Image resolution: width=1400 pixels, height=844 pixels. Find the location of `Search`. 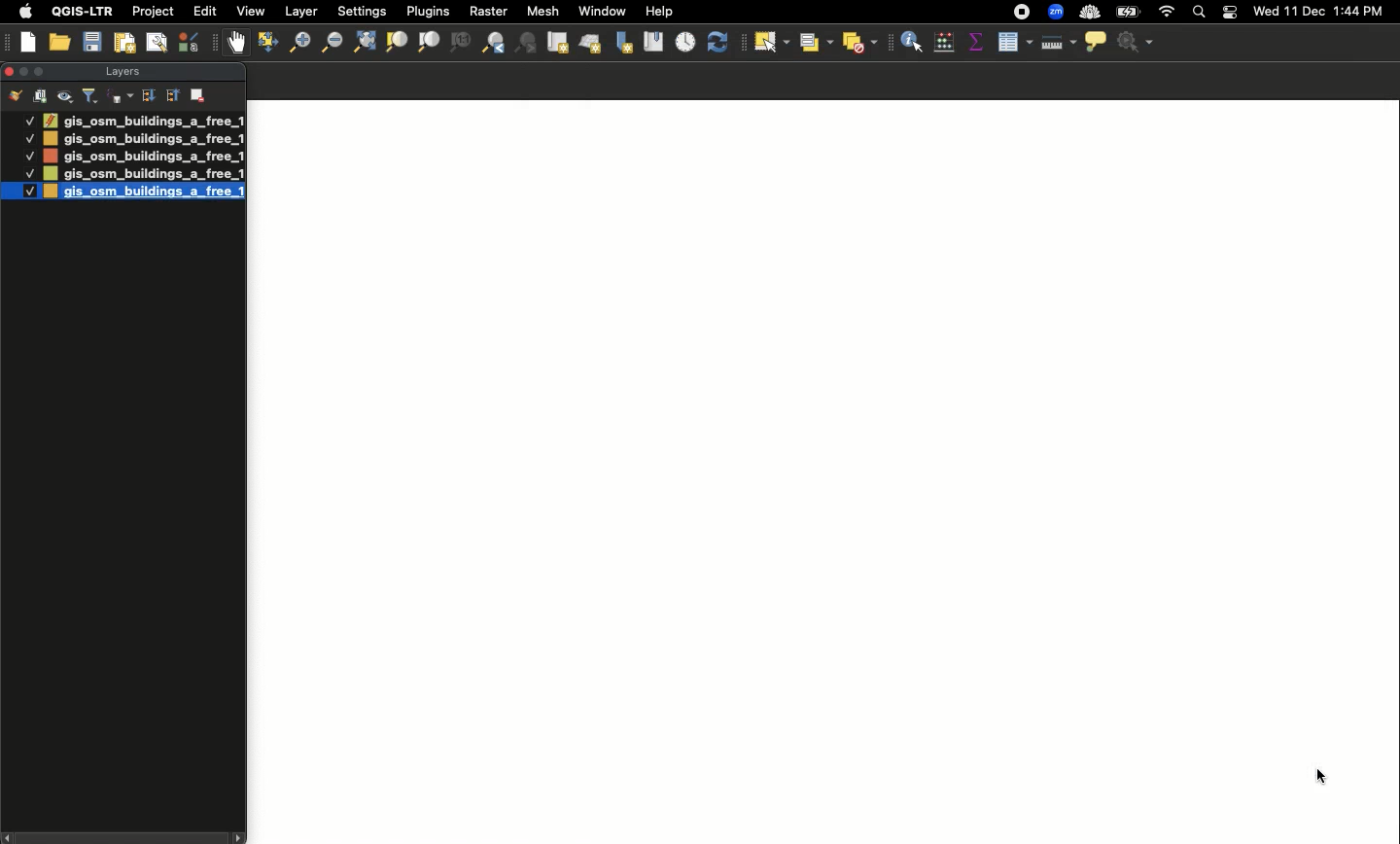

Search is located at coordinates (1197, 14).